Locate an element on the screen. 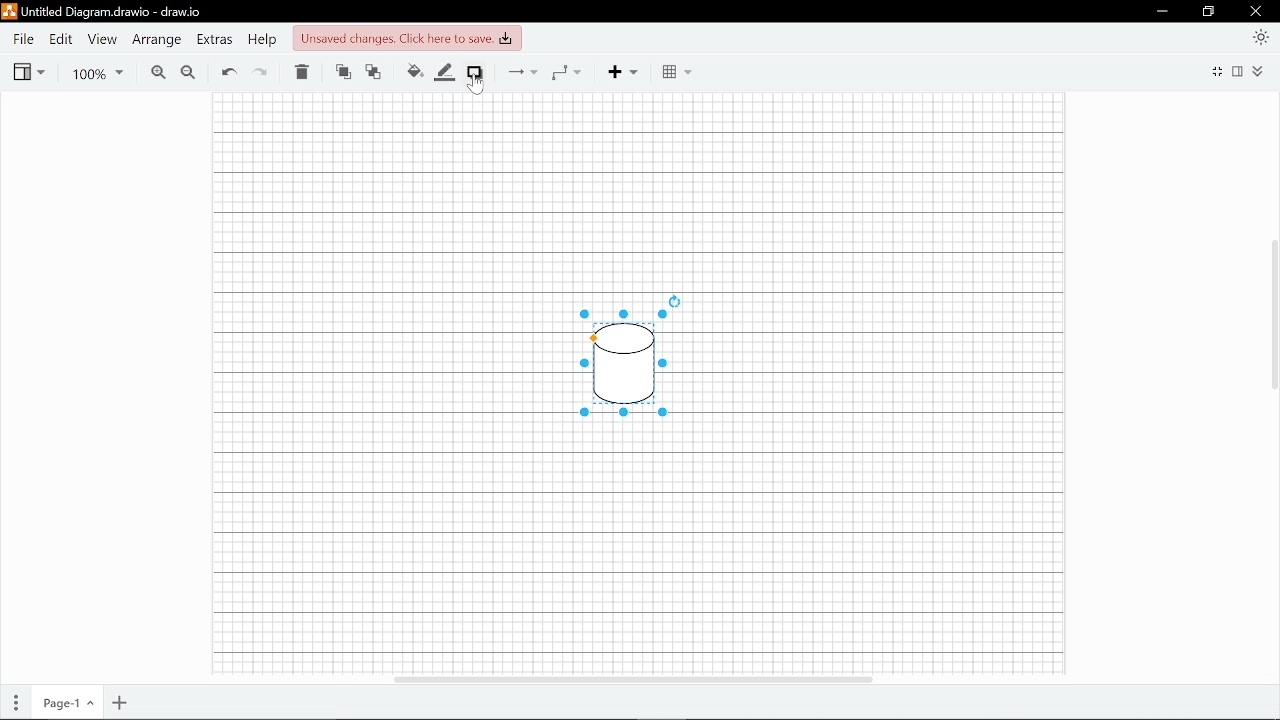 Image resolution: width=1280 pixels, height=720 pixels. Zoom out is located at coordinates (189, 72).